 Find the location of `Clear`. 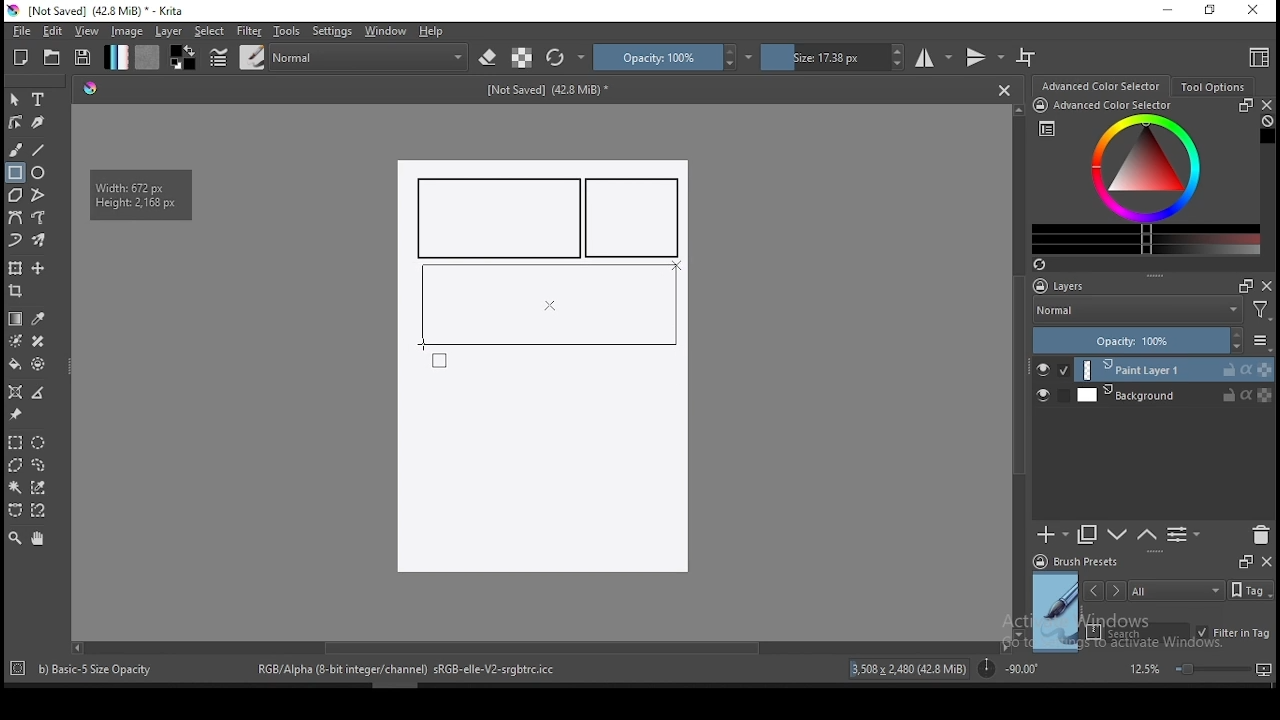

Clear is located at coordinates (1267, 123).